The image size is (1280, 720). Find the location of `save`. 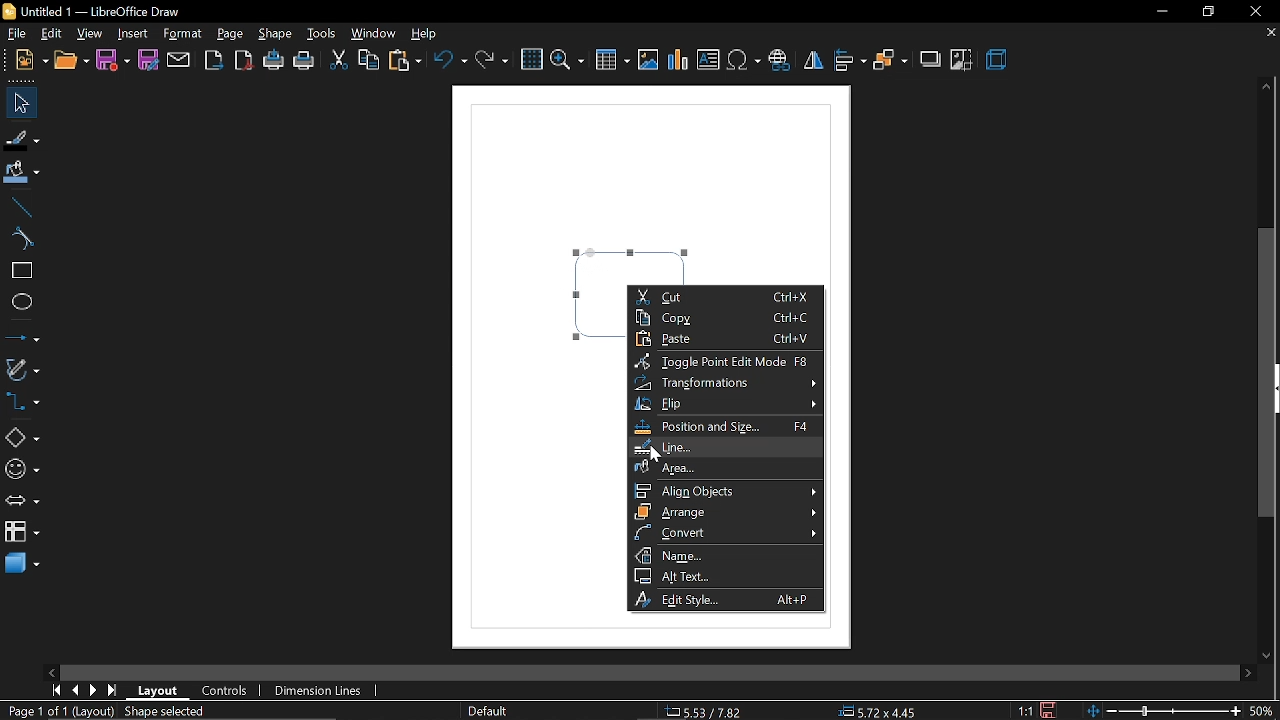

save is located at coordinates (113, 60).